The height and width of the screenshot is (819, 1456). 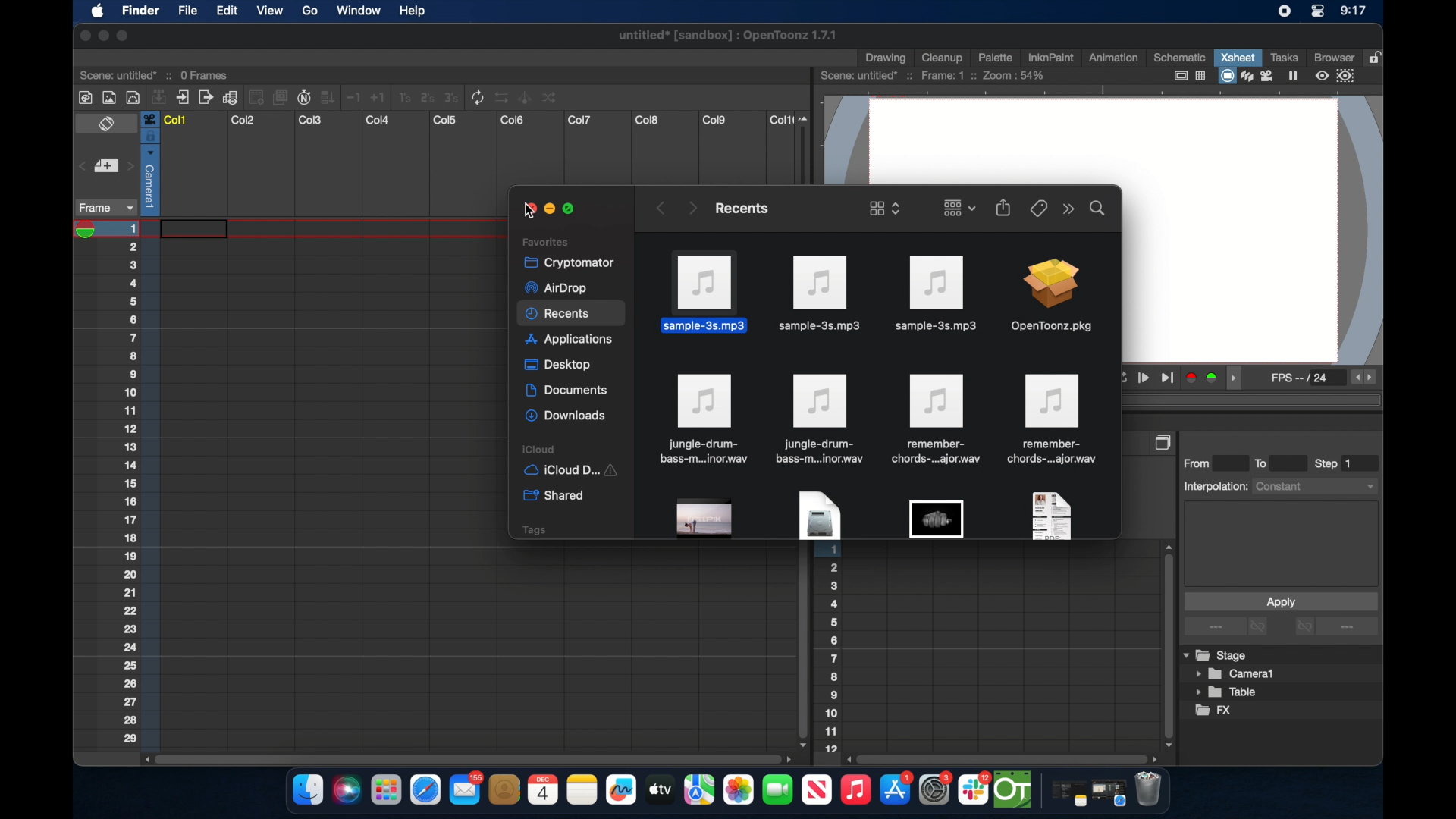 What do you see at coordinates (820, 419) in the screenshot?
I see `icon` at bounding box center [820, 419].